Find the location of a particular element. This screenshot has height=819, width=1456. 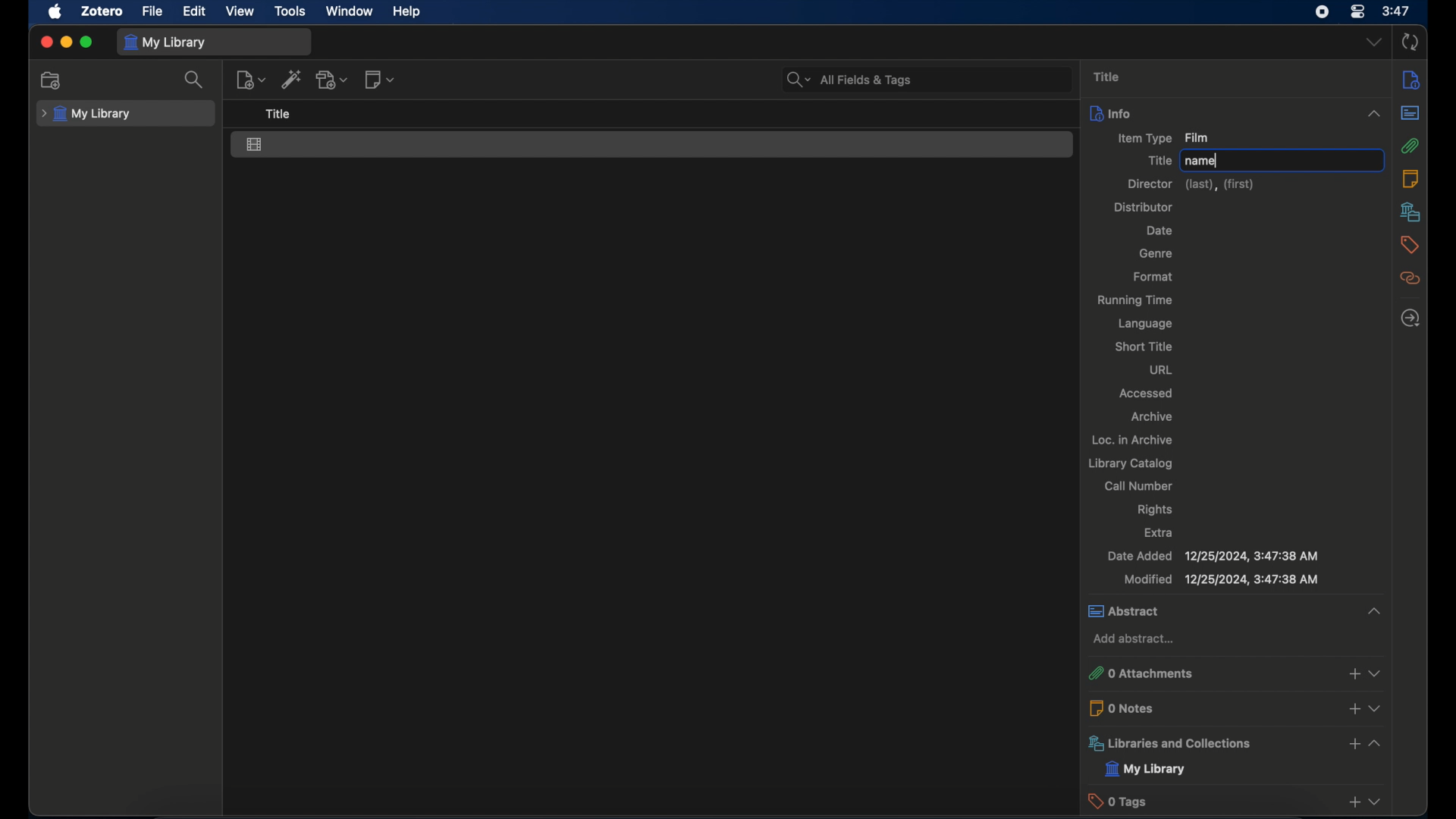

add attachment is located at coordinates (333, 80).